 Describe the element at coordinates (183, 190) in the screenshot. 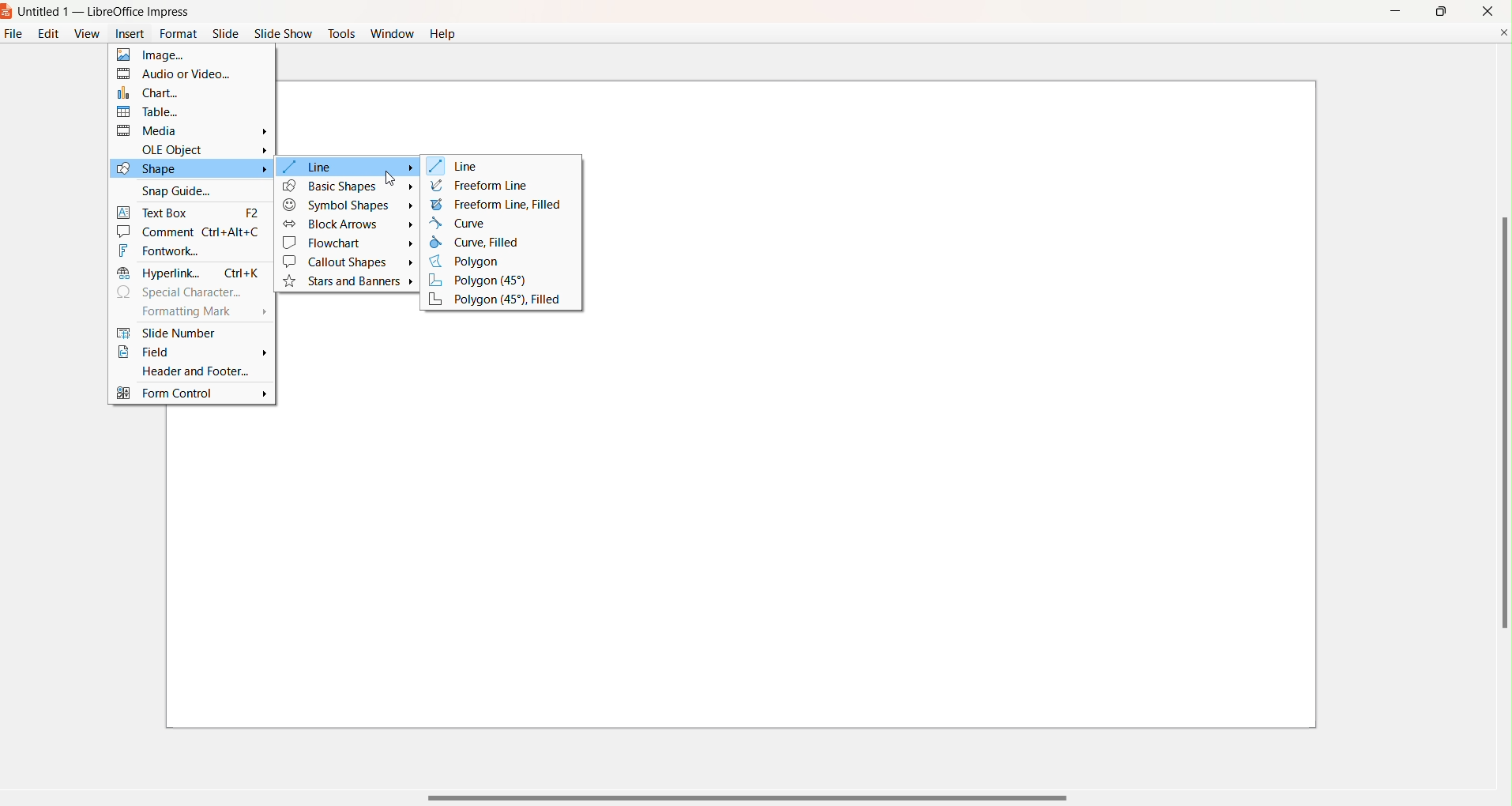

I see `Snap Guide` at that location.